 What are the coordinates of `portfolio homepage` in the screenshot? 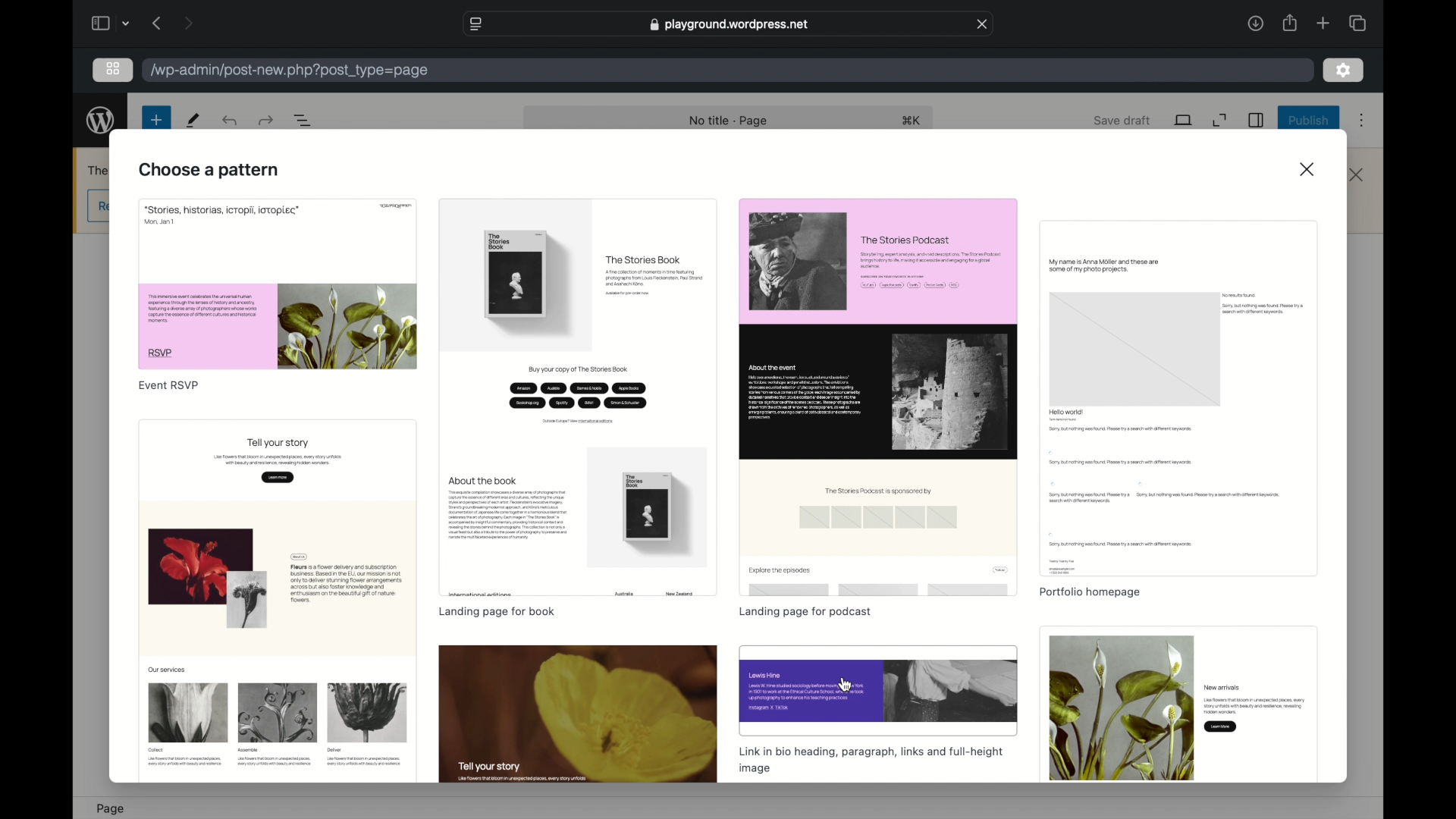 It's located at (1092, 593).